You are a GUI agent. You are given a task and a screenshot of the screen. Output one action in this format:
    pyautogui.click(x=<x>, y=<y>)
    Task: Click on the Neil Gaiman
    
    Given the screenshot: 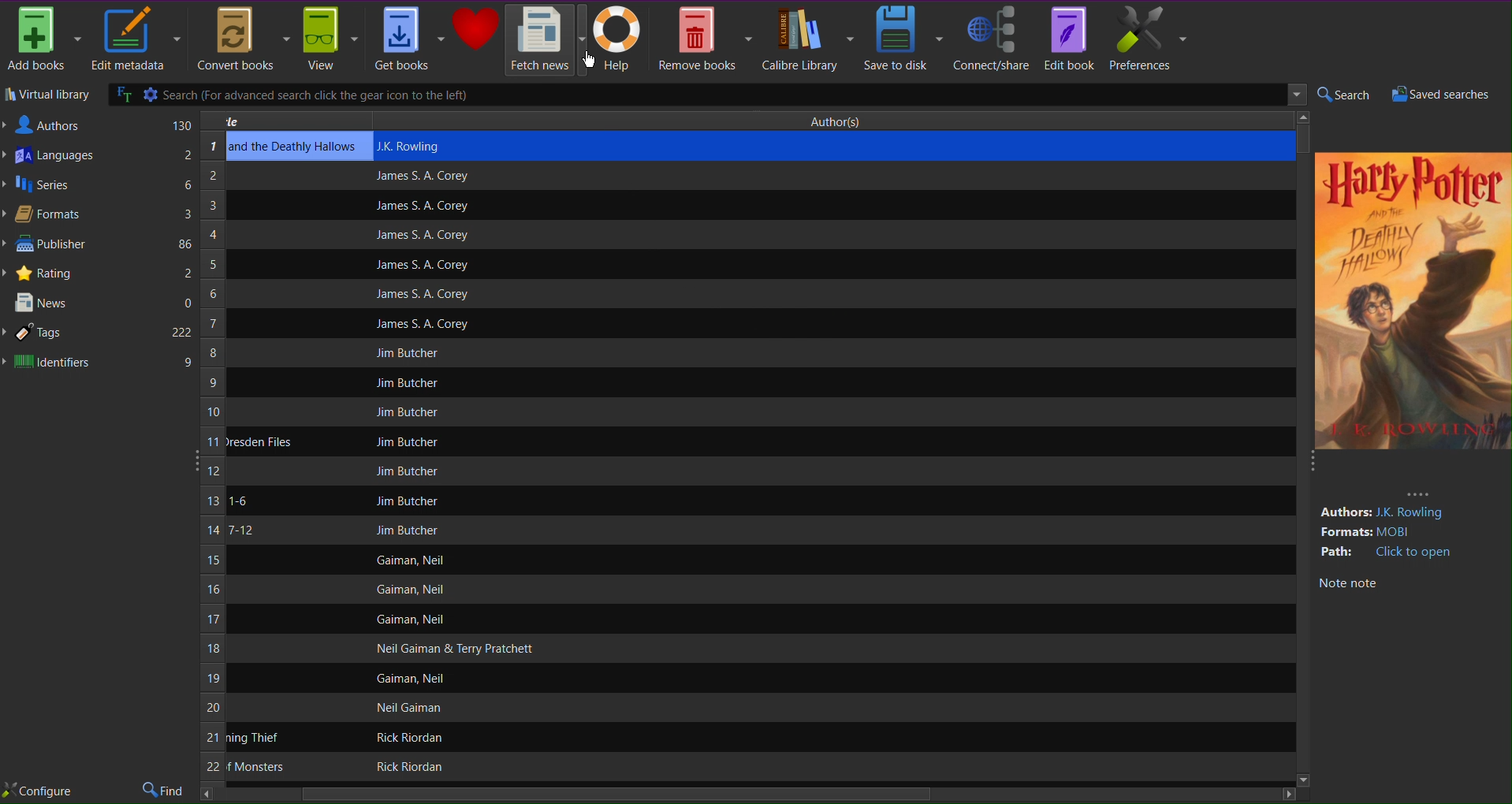 What is the action you would take?
    pyautogui.click(x=412, y=708)
    